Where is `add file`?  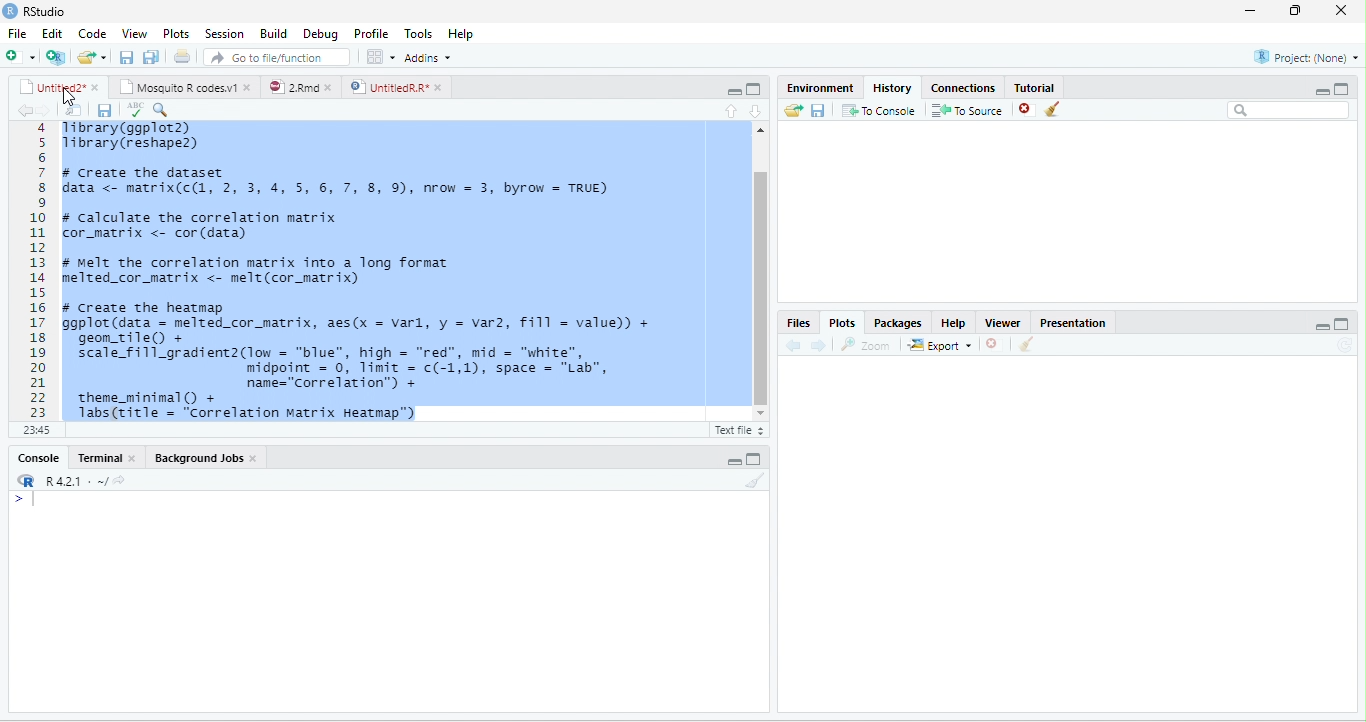 add file is located at coordinates (33, 57).